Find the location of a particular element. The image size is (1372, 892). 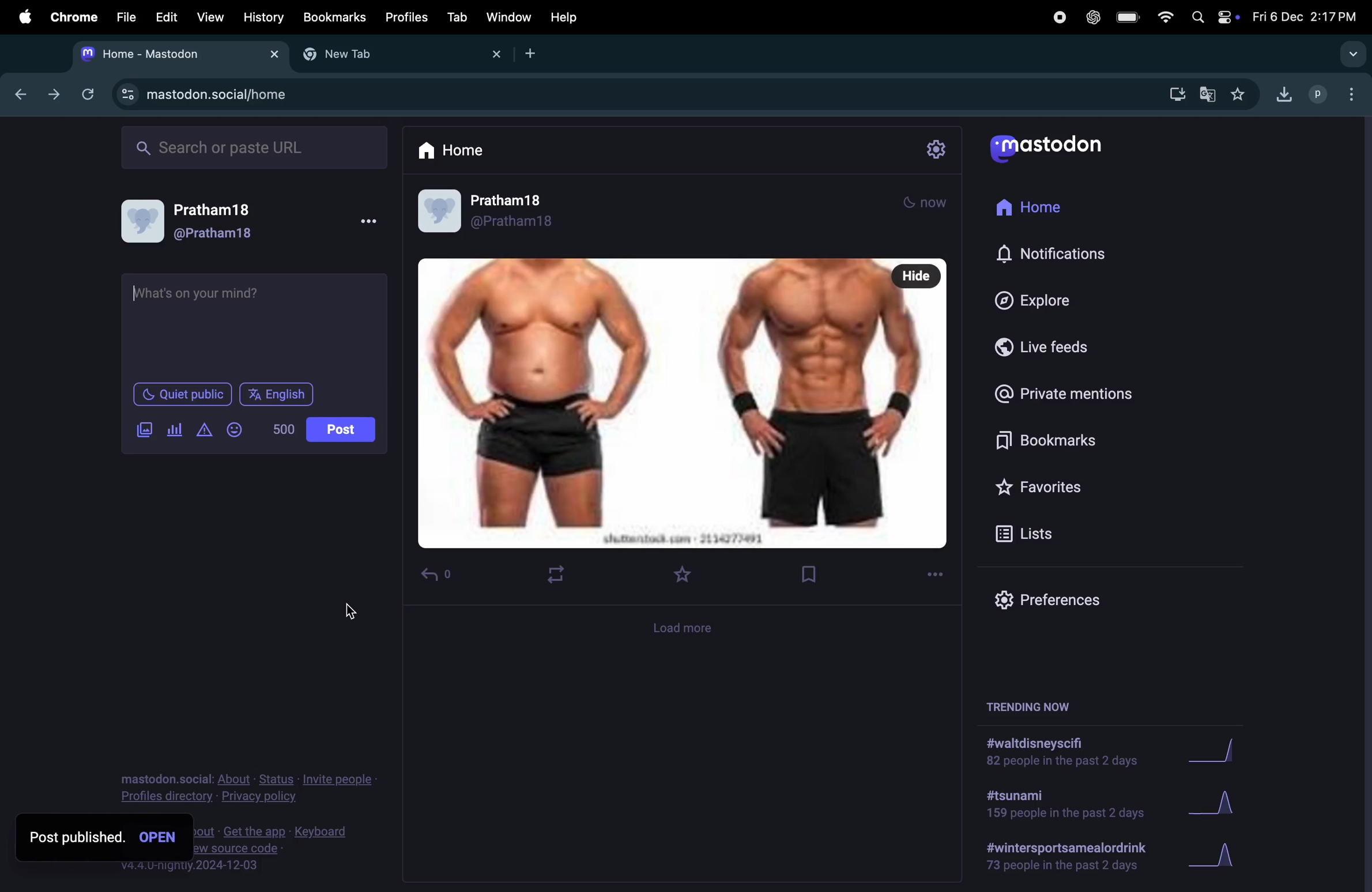

Graph is located at coordinates (1222, 800).